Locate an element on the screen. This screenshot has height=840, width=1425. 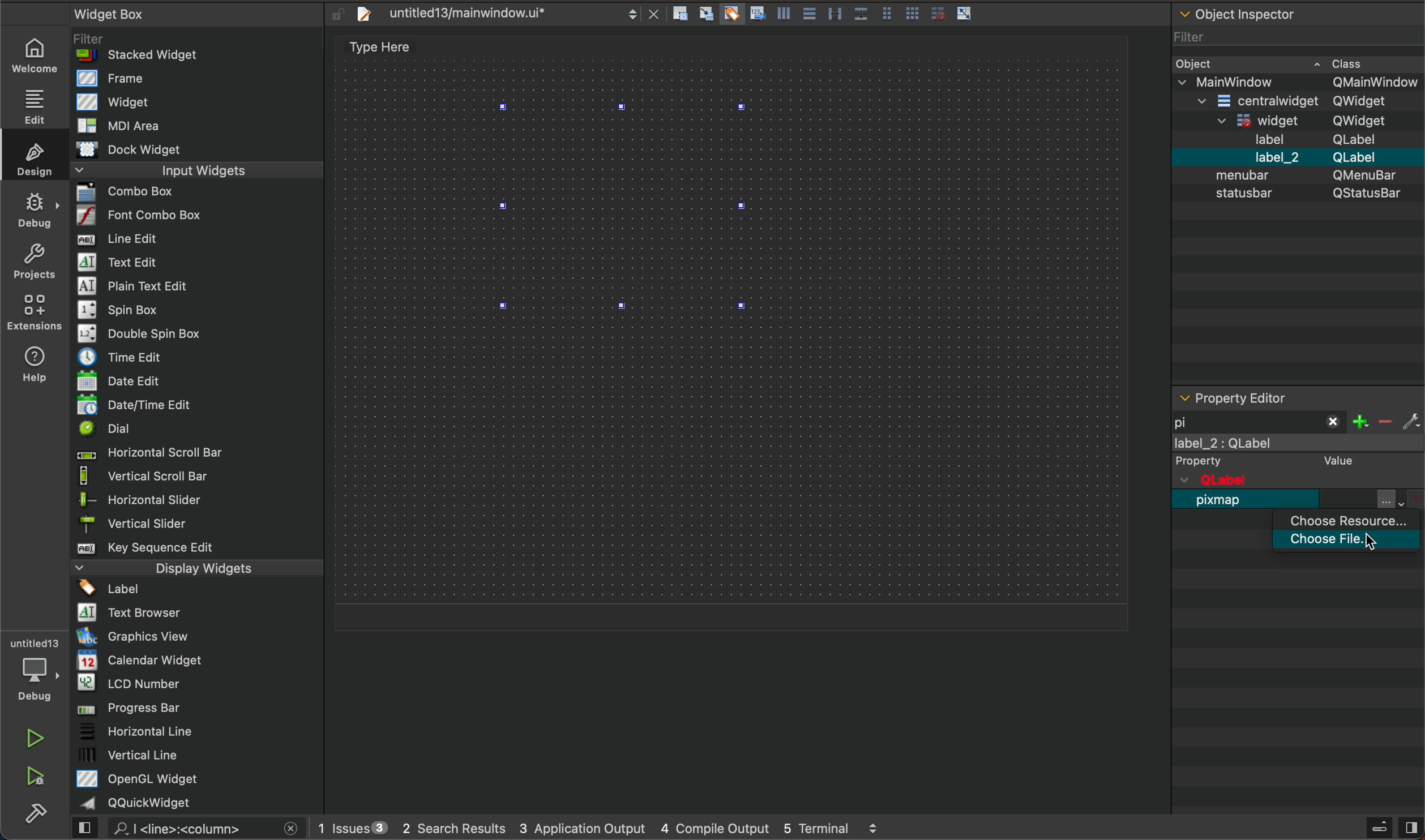
object inspector is located at coordinates (1296, 194).